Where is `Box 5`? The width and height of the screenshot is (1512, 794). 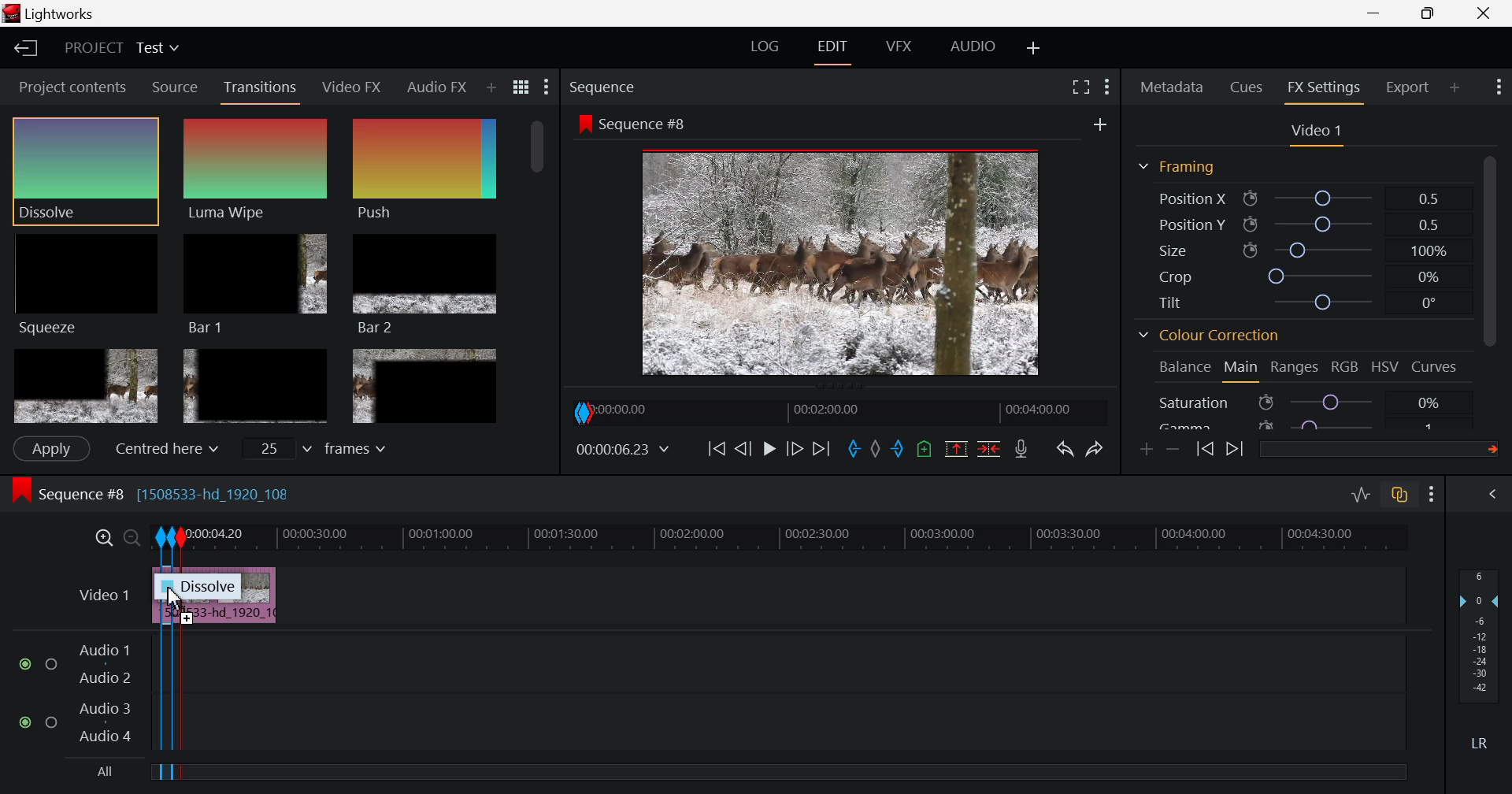
Box 5 is located at coordinates (256, 388).